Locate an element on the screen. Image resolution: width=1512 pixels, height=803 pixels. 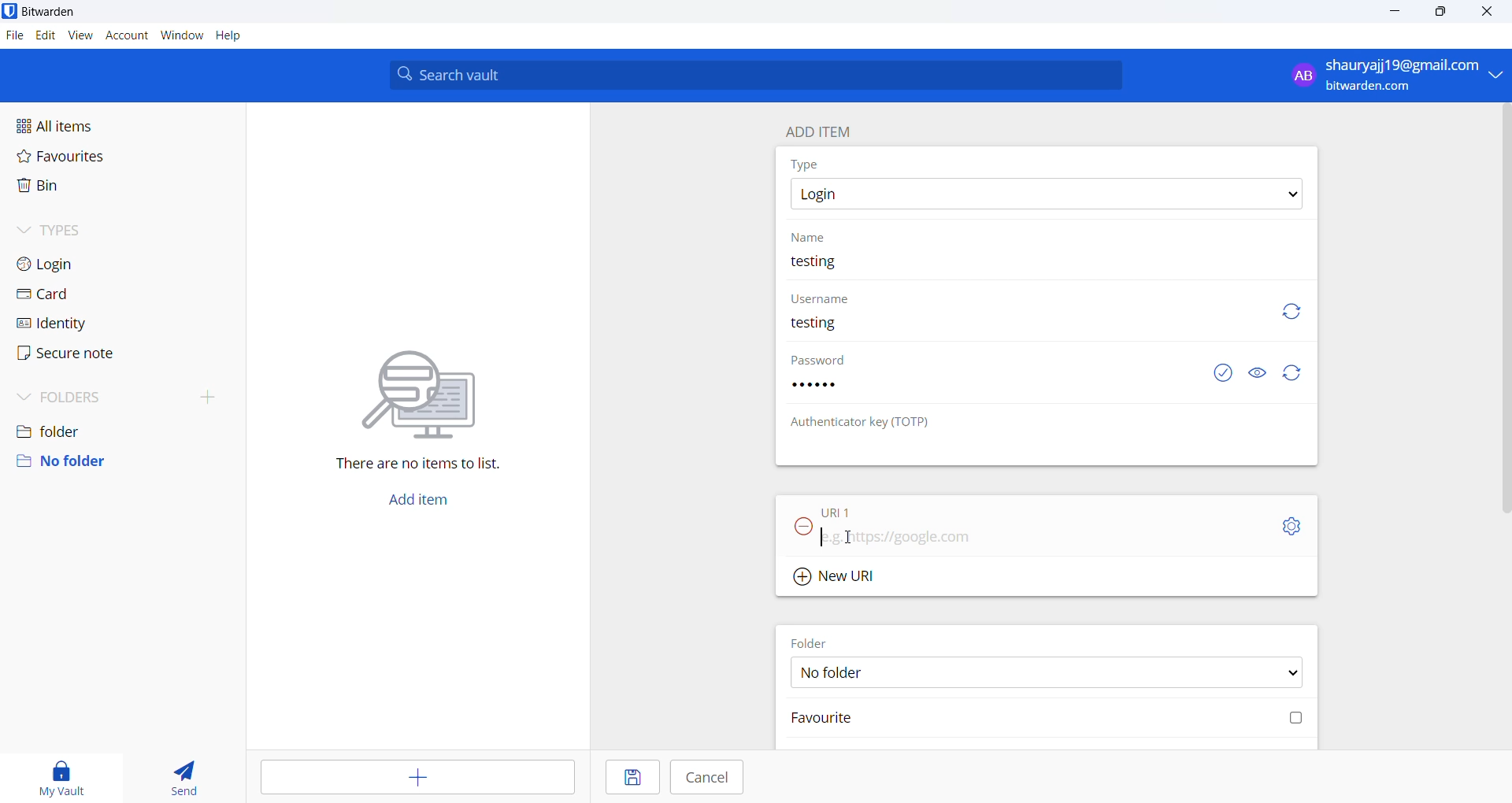
my vault is located at coordinates (62, 774).